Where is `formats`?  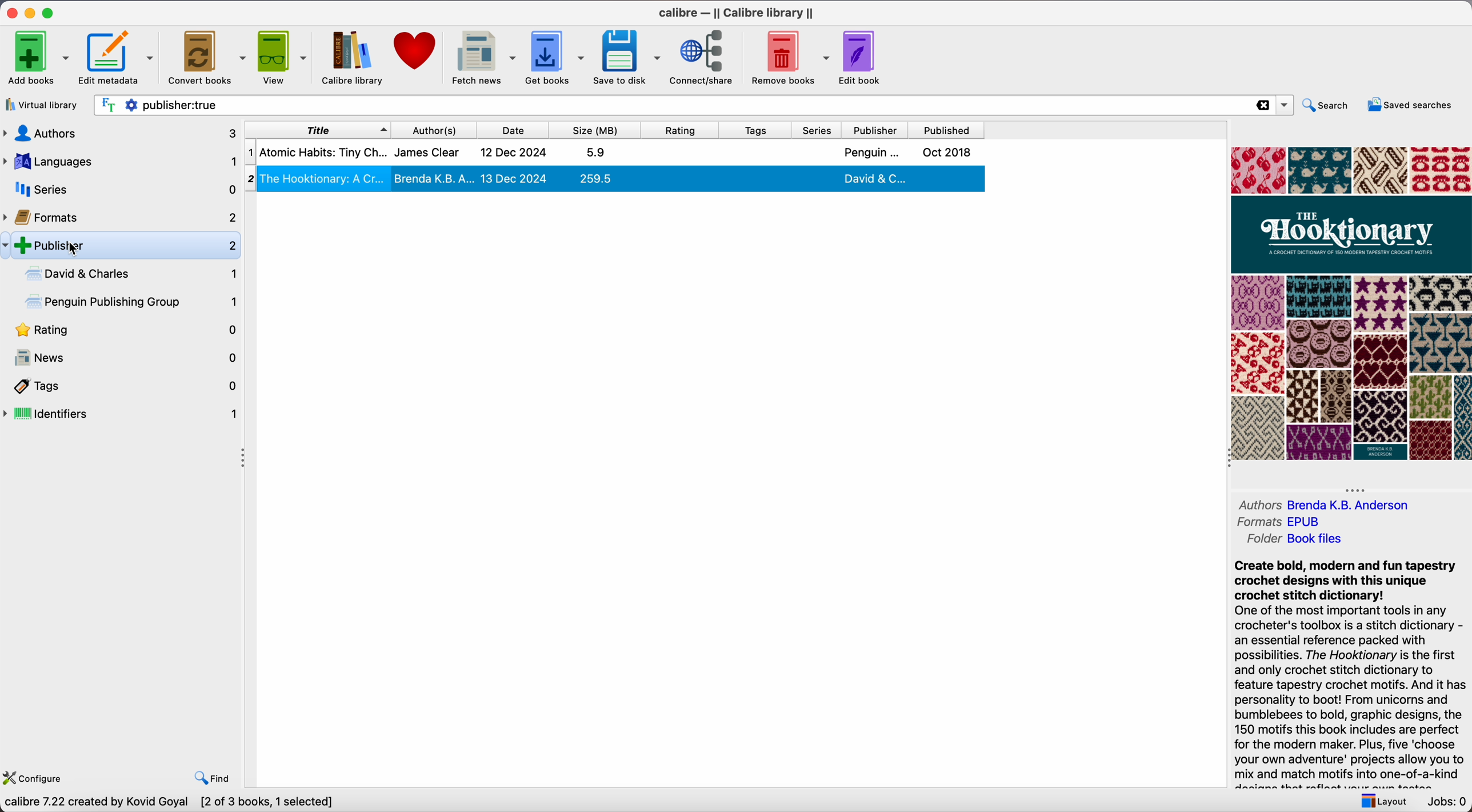 formats is located at coordinates (121, 215).